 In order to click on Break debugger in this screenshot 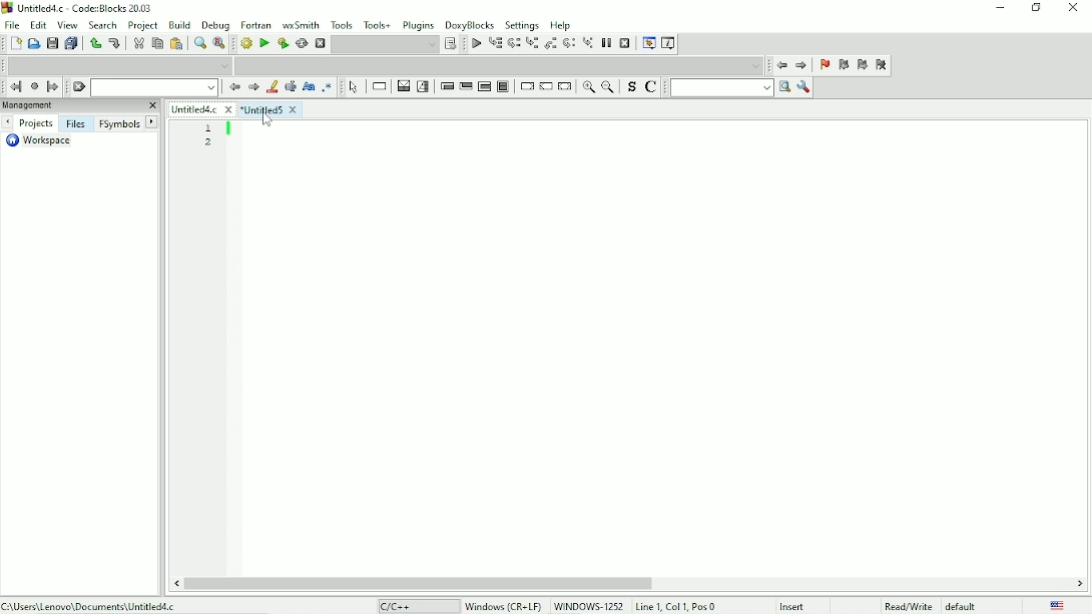, I will do `click(606, 43)`.